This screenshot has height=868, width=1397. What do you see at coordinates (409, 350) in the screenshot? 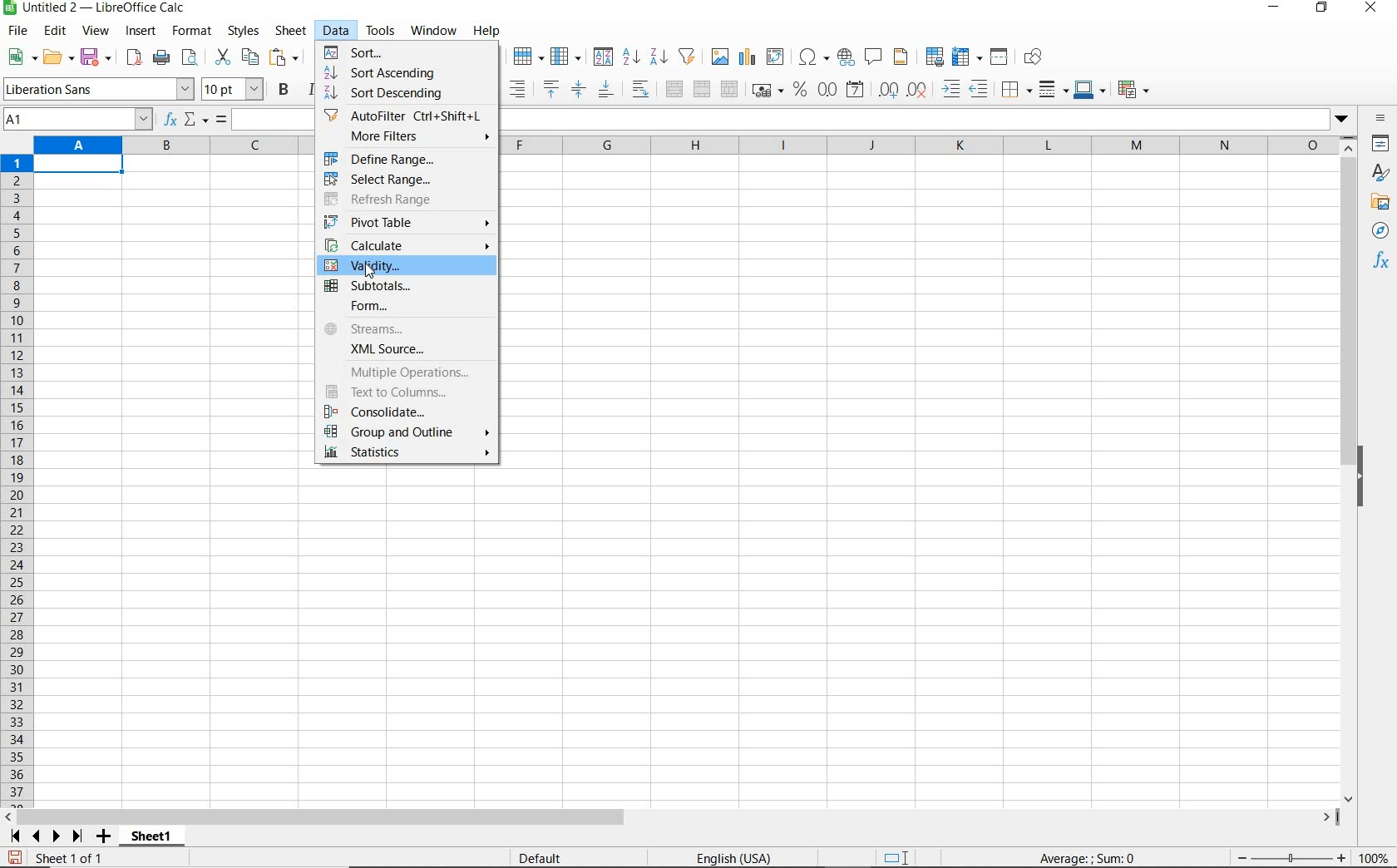
I see `XML Source` at bounding box center [409, 350].